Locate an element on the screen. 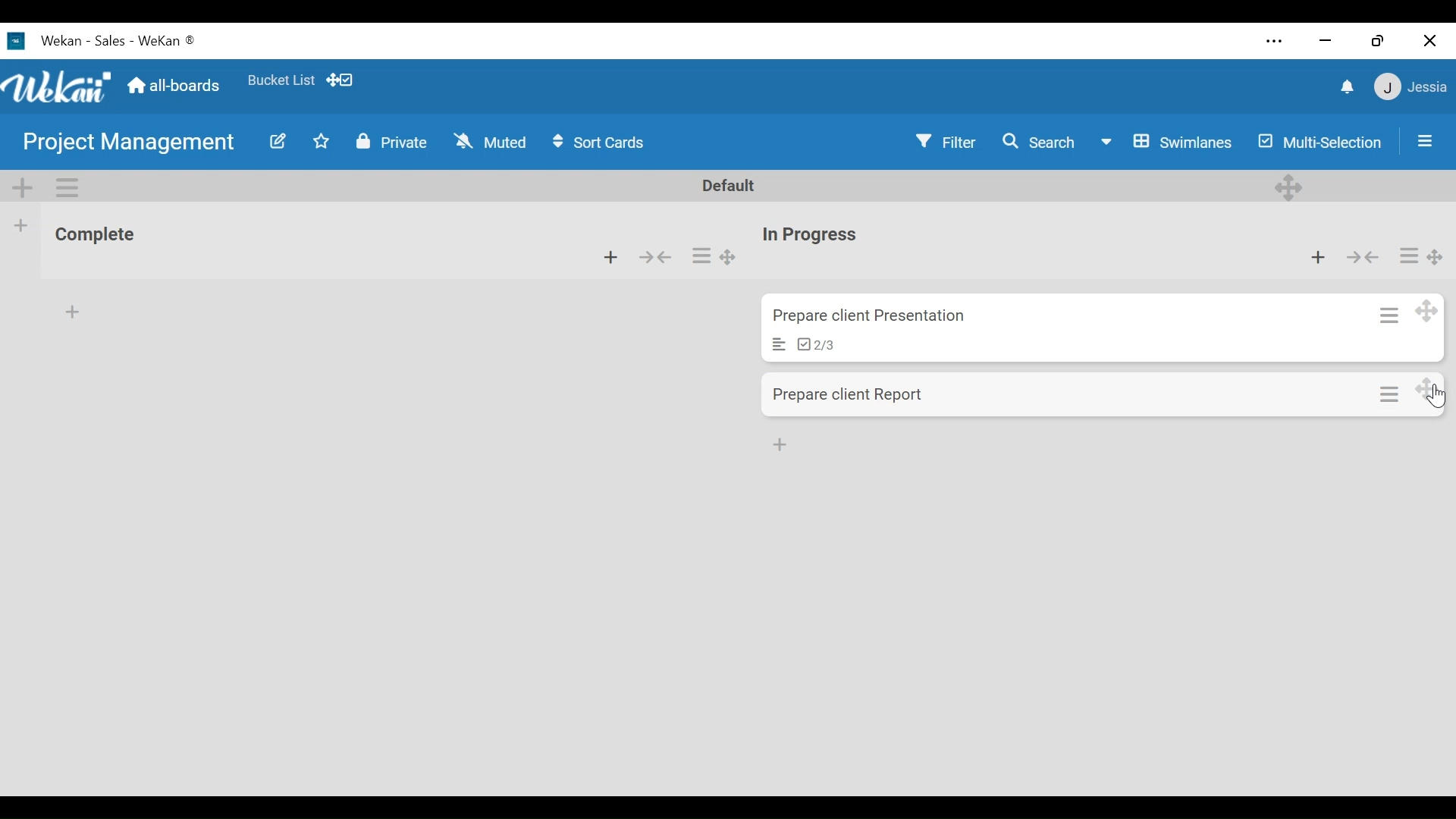 This screenshot has width=1456, height=819. Board View is located at coordinates (1167, 143).